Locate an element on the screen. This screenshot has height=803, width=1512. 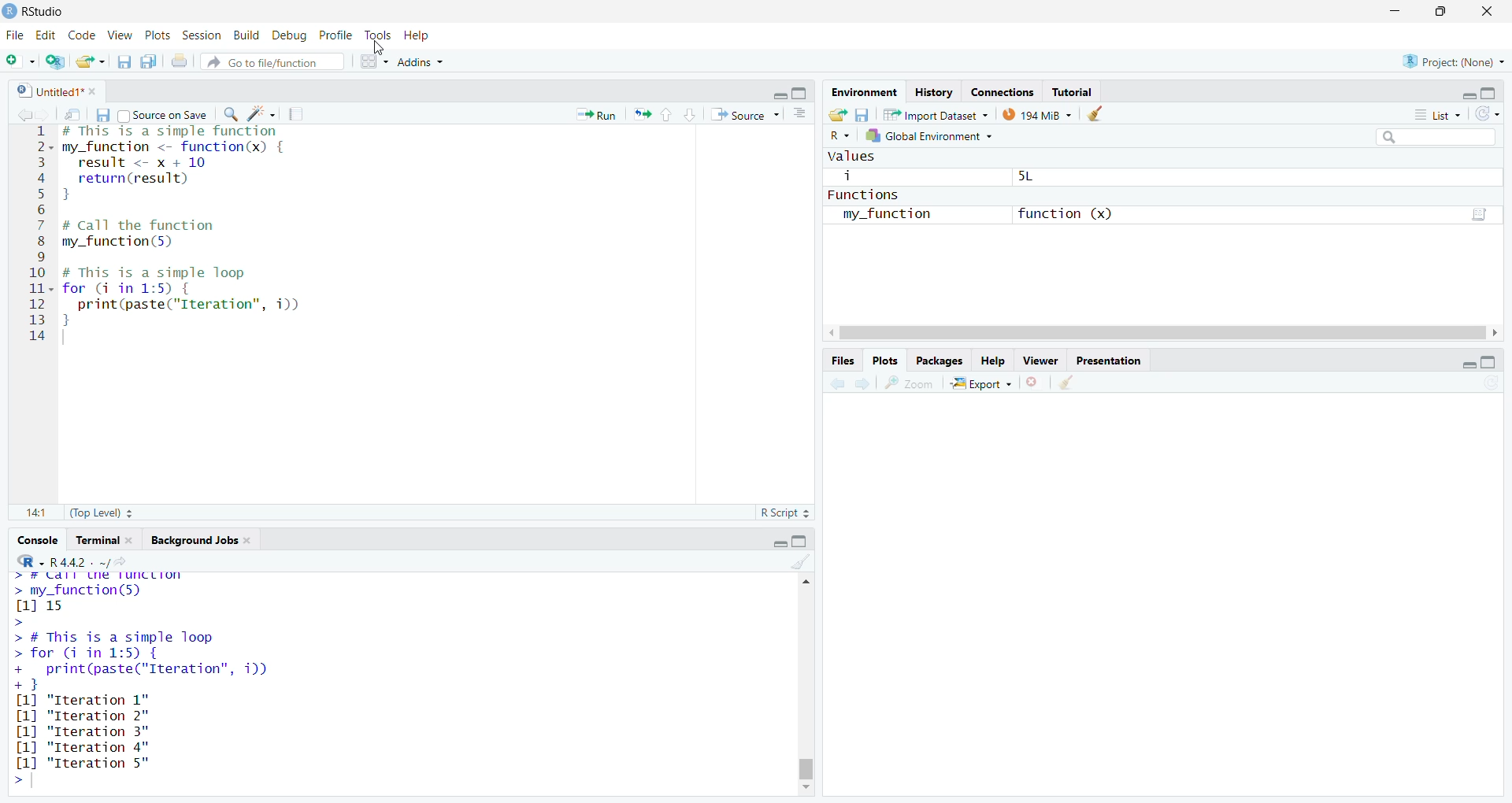
14:1 is located at coordinates (35, 514).